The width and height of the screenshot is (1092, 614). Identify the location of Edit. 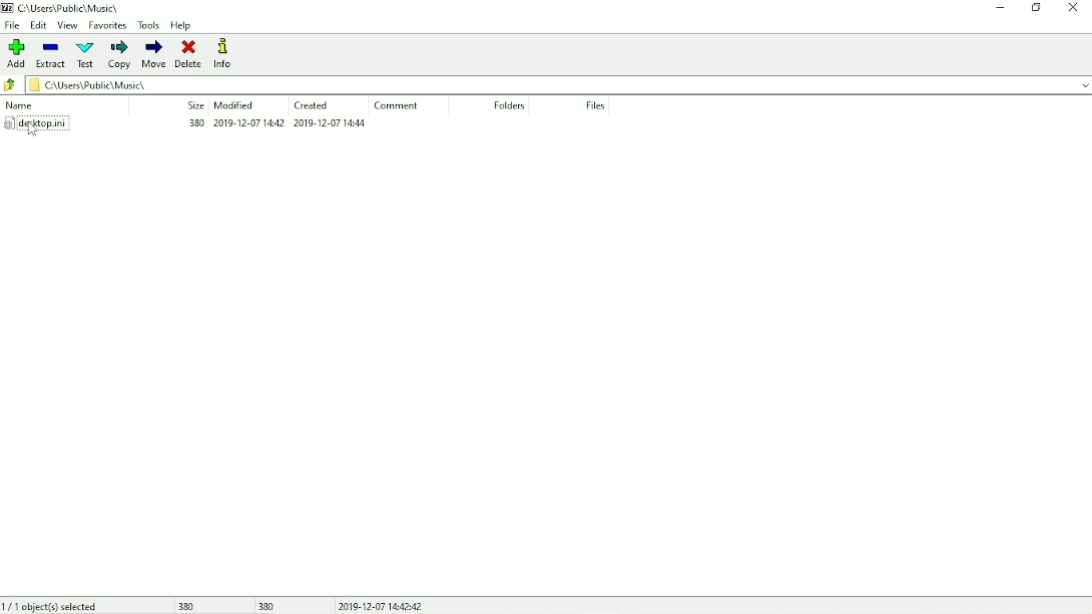
(39, 25).